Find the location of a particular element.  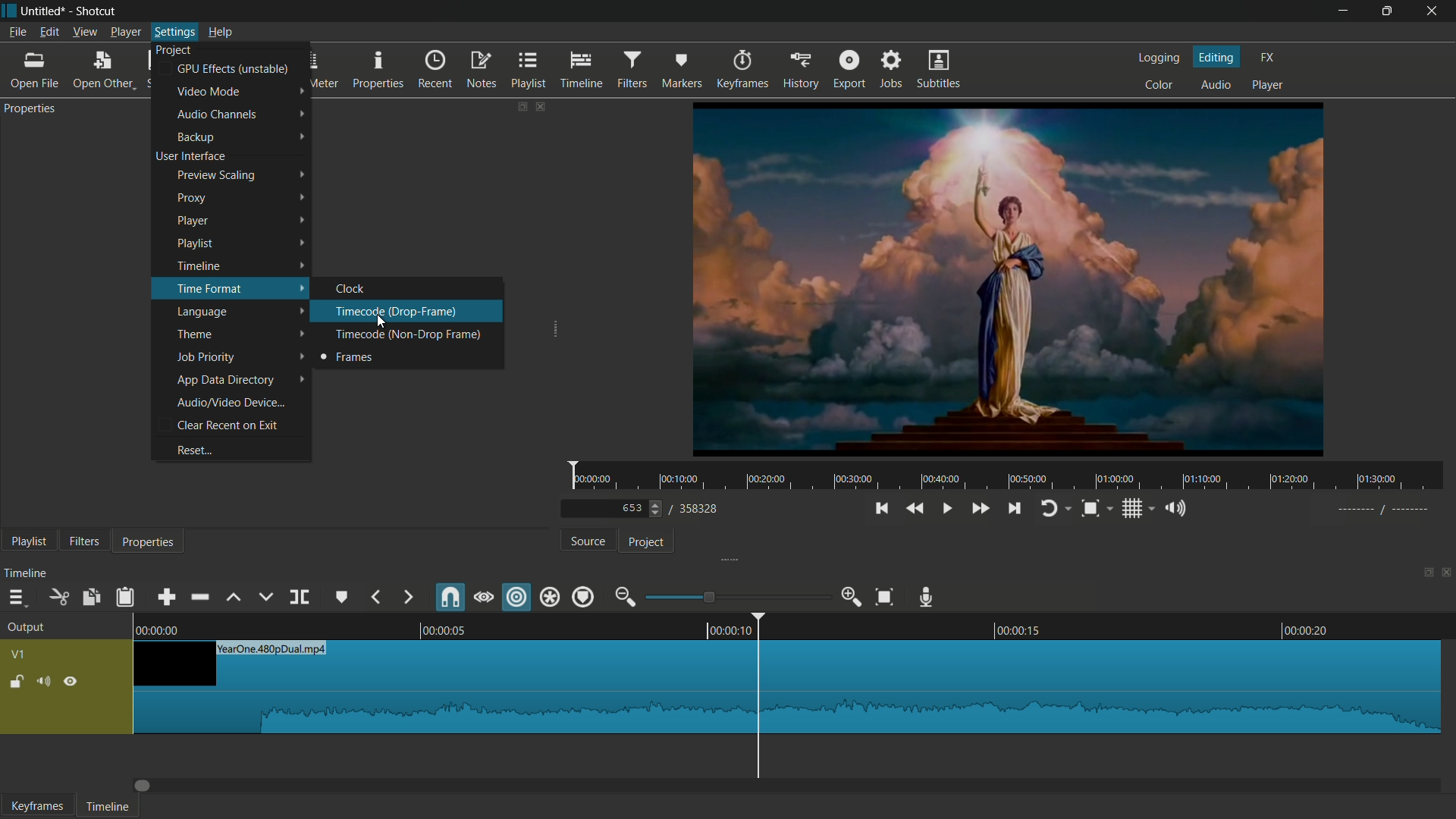

user interface is located at coordinates (190, 156).